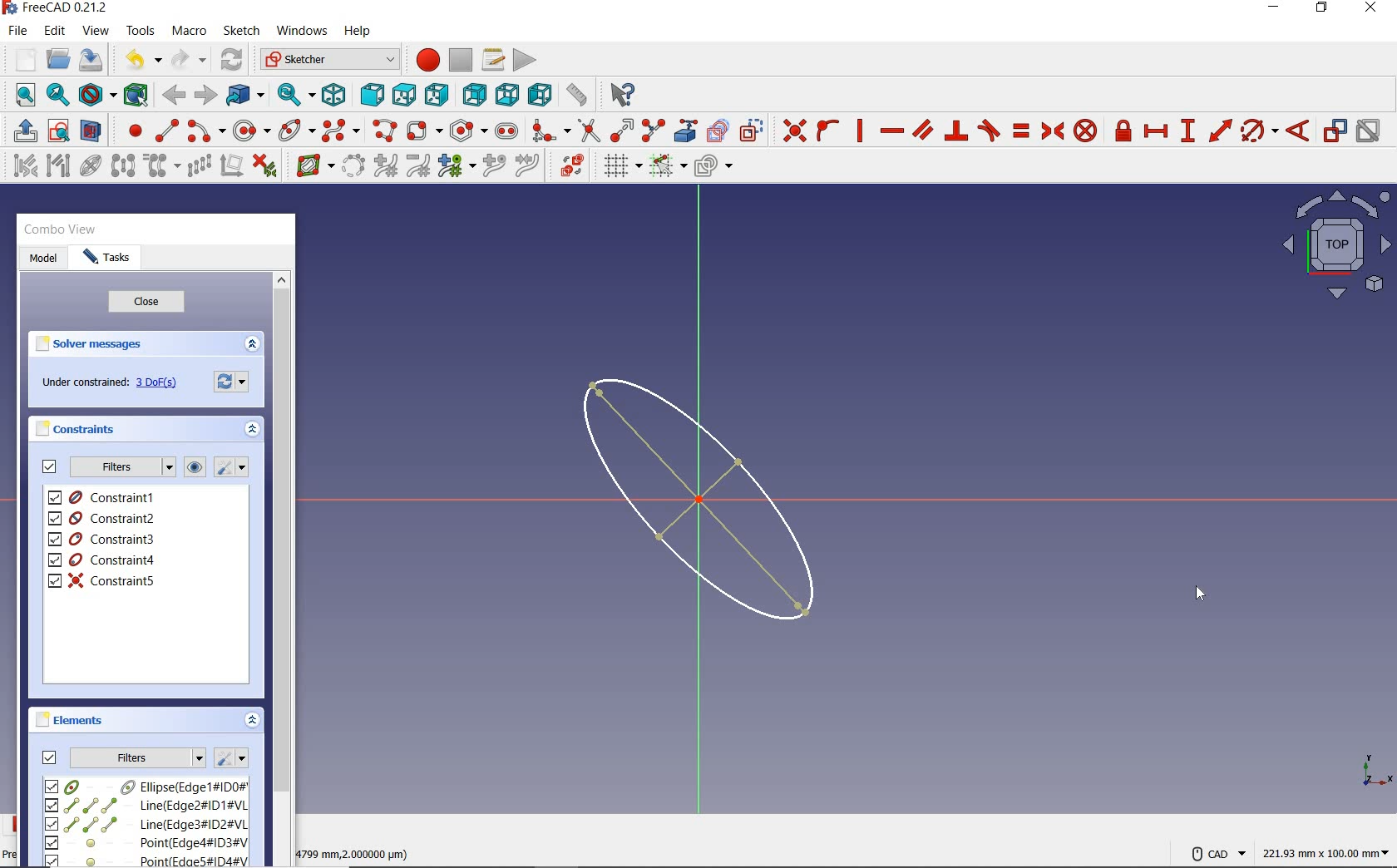 Image resolution: width=1397 pixels, height=868 pixels. Describe the element at coordinates (189, 59) in the screenshot. I see `redo` at that location.